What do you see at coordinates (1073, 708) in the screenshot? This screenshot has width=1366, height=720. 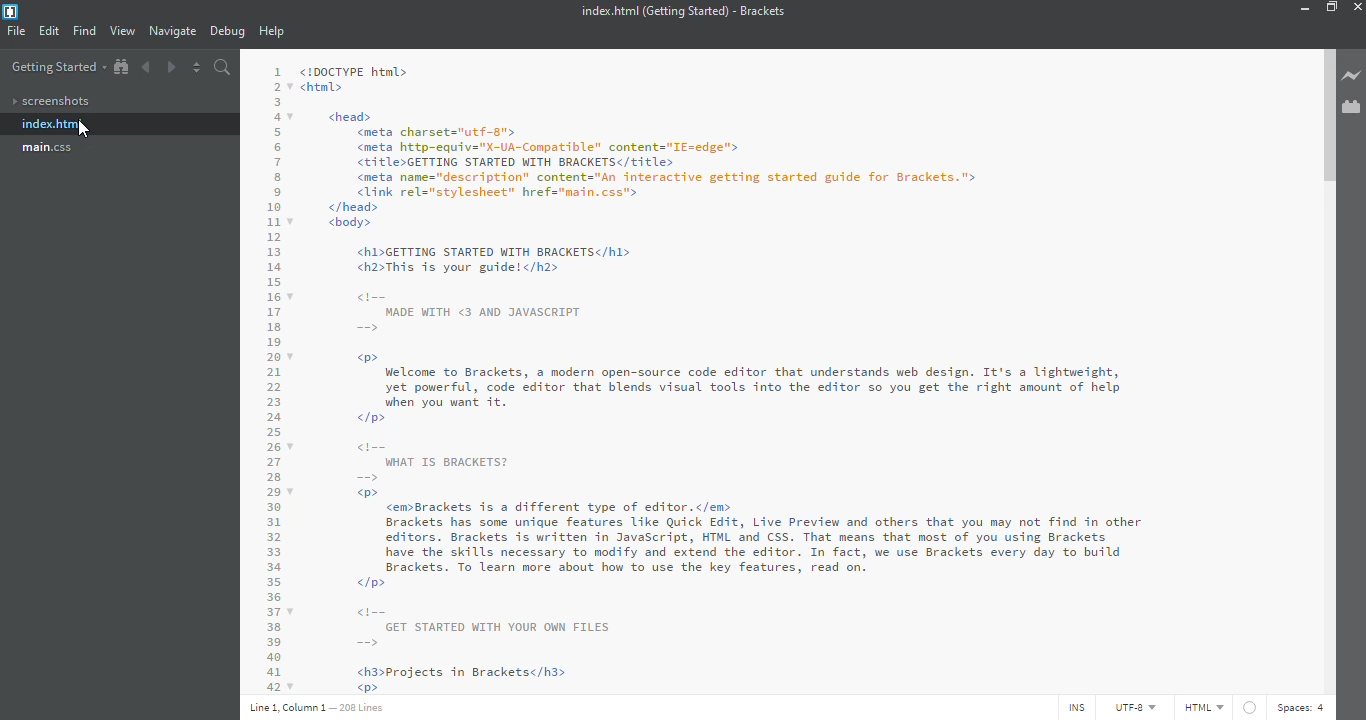 I see `ins` at bounding box center [1073, 708].